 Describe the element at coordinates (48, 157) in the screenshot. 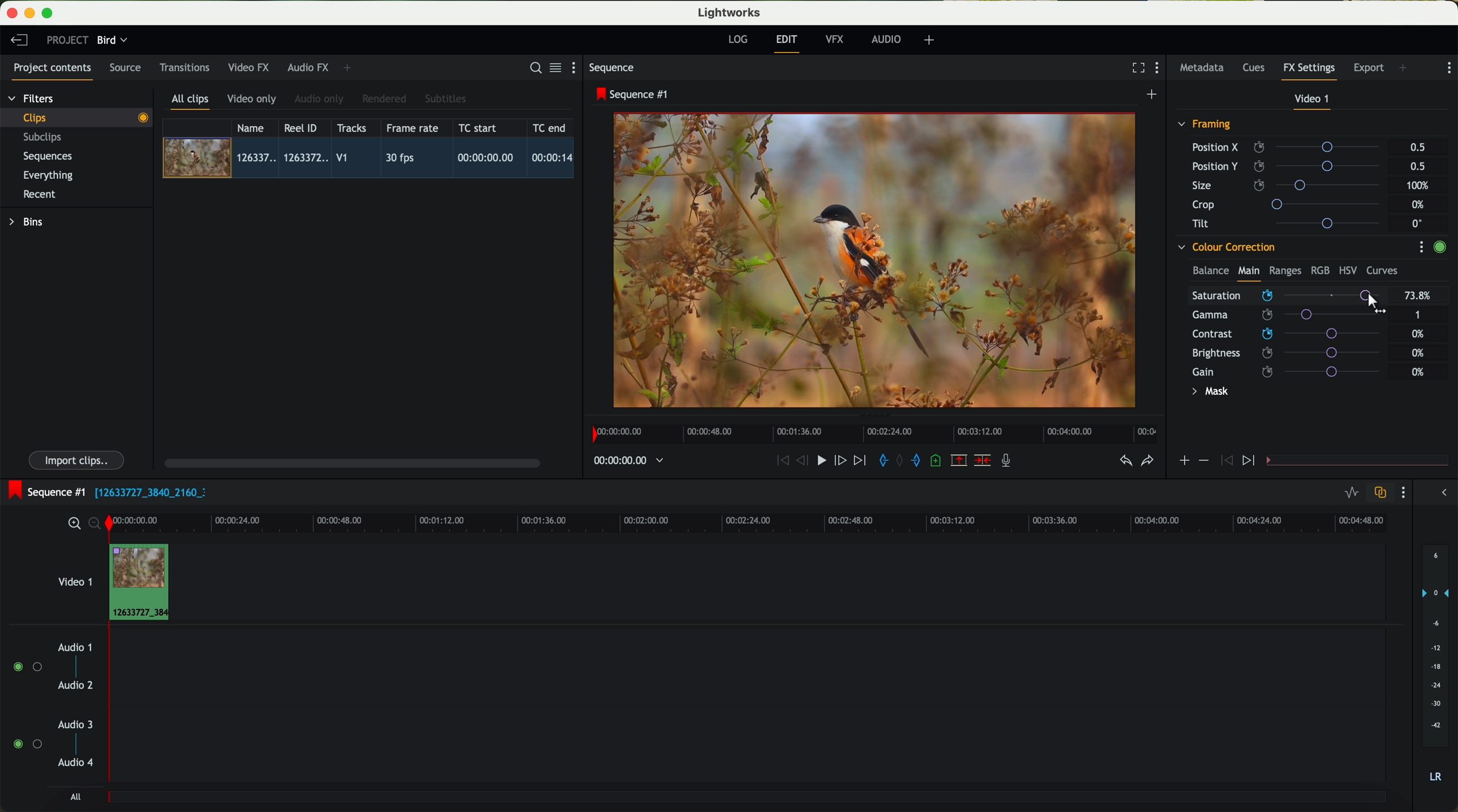

I see `sequences` at that location.